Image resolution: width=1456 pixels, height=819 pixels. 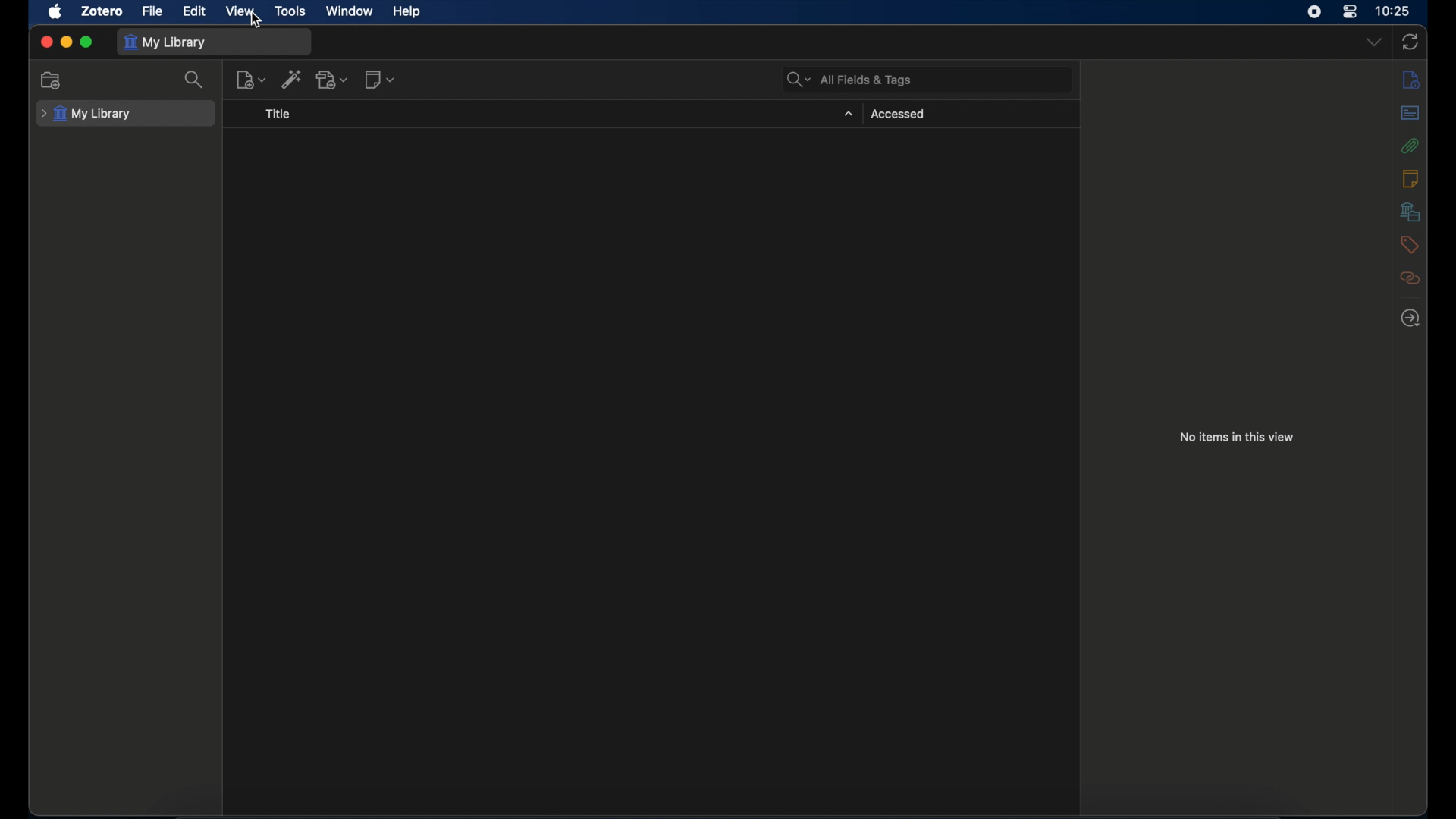 What do you see at coordinates (1409, 42) in the screenshot?
I see `sync` at bounding box center [1409, 42].